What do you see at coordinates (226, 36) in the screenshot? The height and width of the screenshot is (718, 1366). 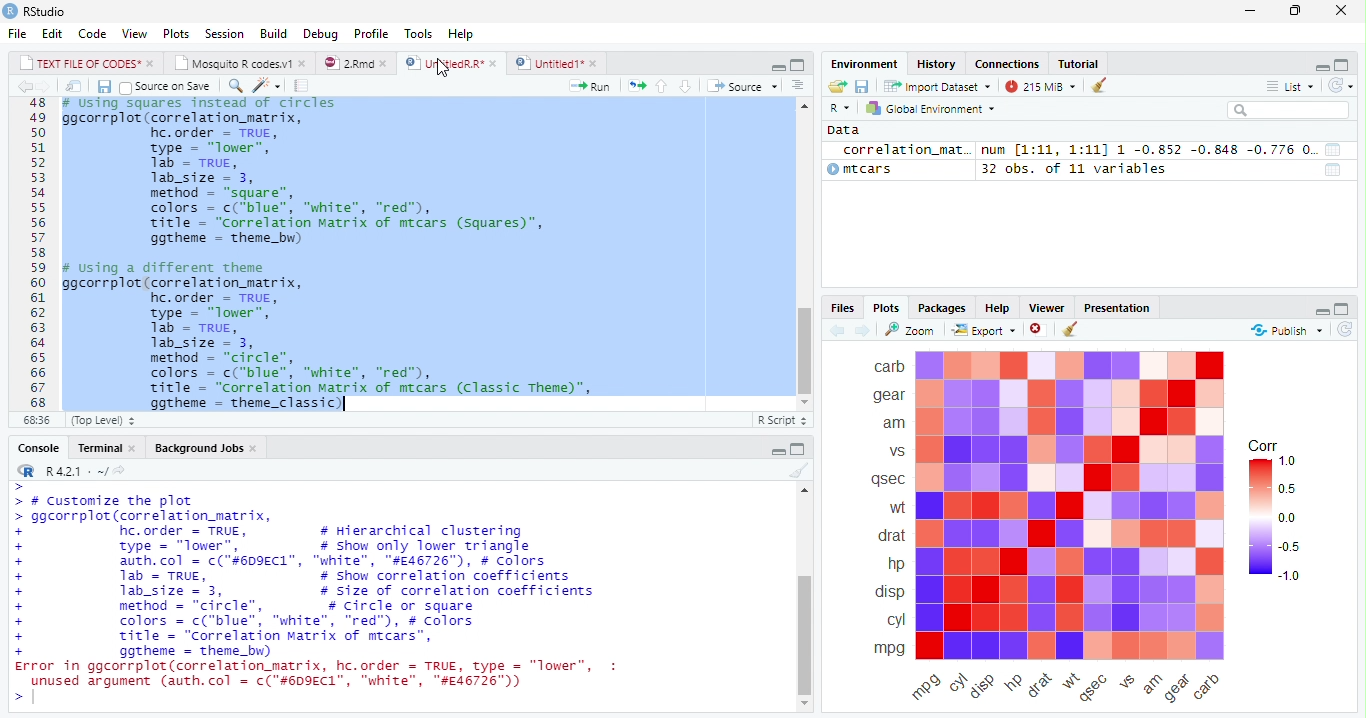 I see `Session` at bounding box center [226, 36].